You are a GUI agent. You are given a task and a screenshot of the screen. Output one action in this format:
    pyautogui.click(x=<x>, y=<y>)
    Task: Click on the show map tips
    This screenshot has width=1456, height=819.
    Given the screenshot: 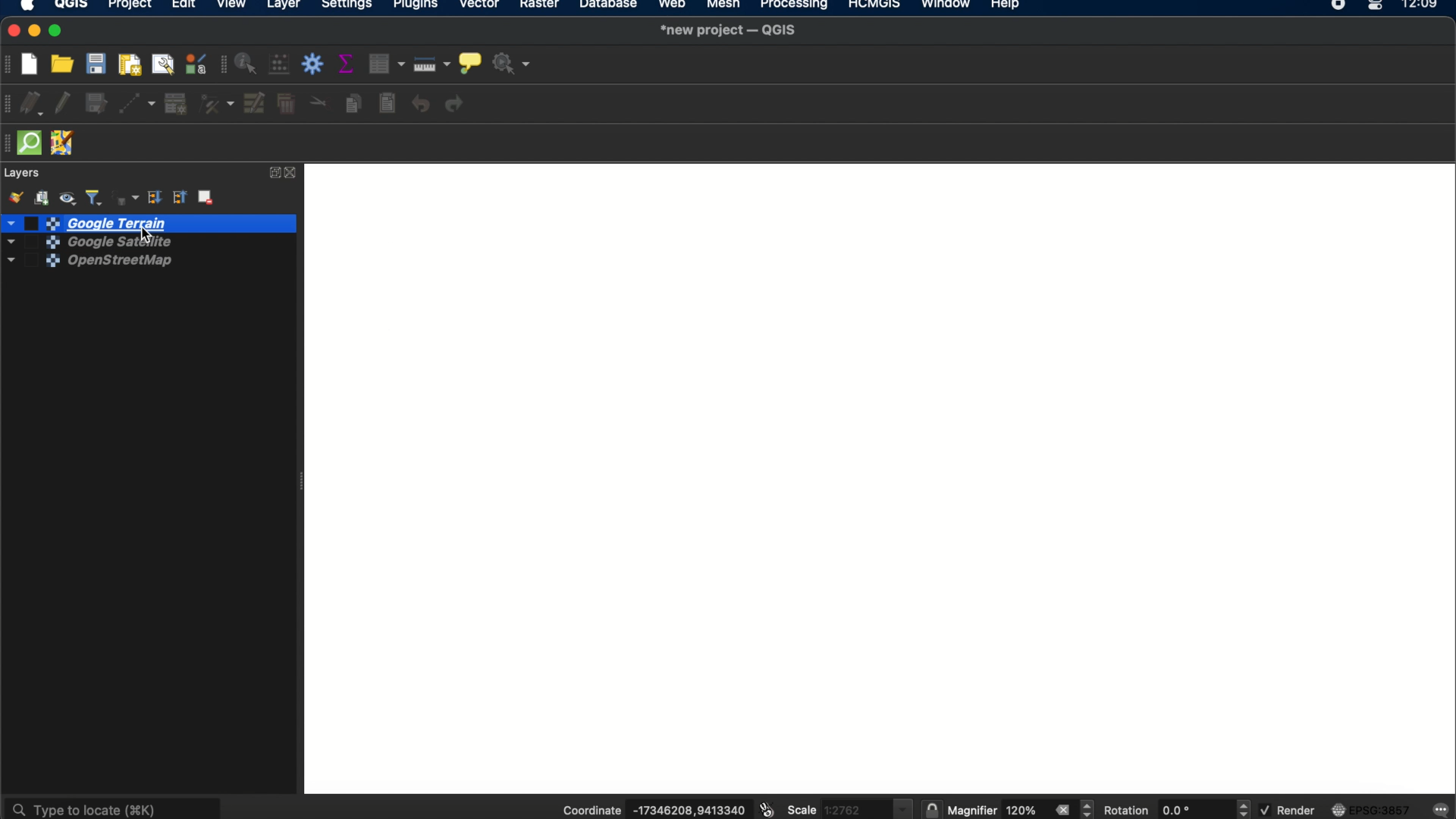 What is the action you would take?
    pyautogui.click(x=469, y=61)
    